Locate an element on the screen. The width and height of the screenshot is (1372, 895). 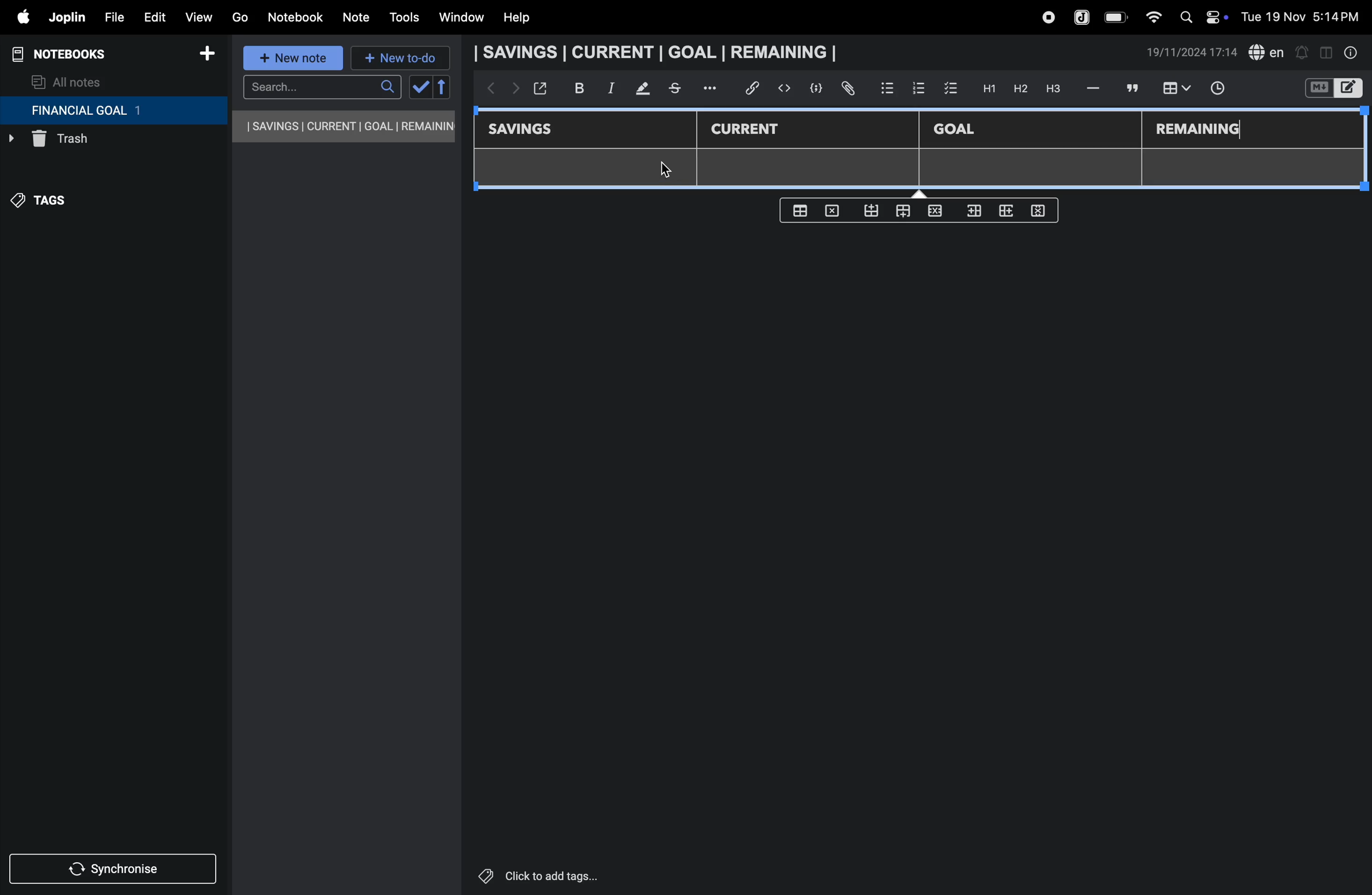
H1 is located at coordinates (987, 89).